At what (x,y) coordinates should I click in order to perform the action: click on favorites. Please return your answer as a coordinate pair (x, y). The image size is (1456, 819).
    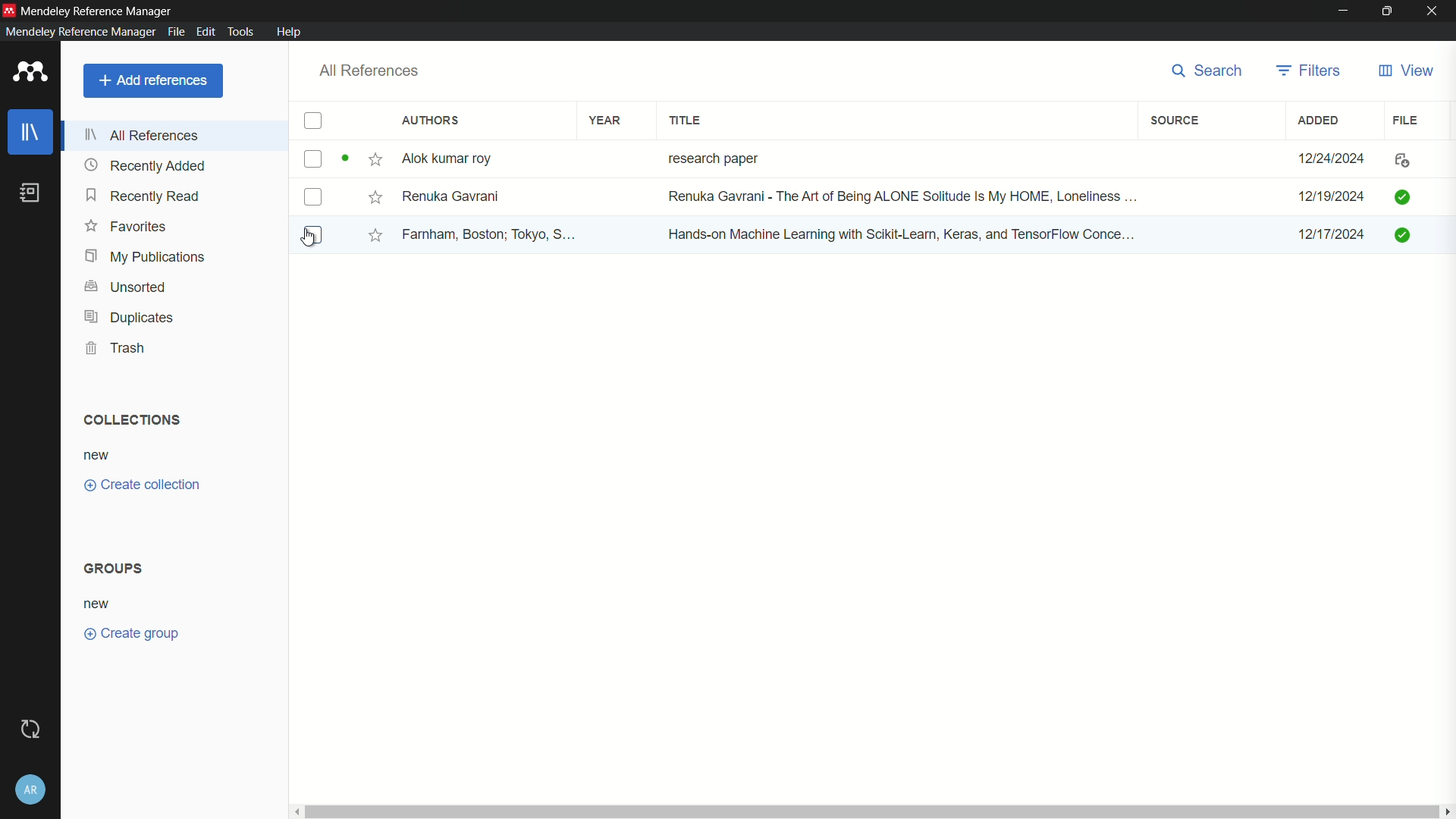
    Looking at the image, I should click on (127, 225).